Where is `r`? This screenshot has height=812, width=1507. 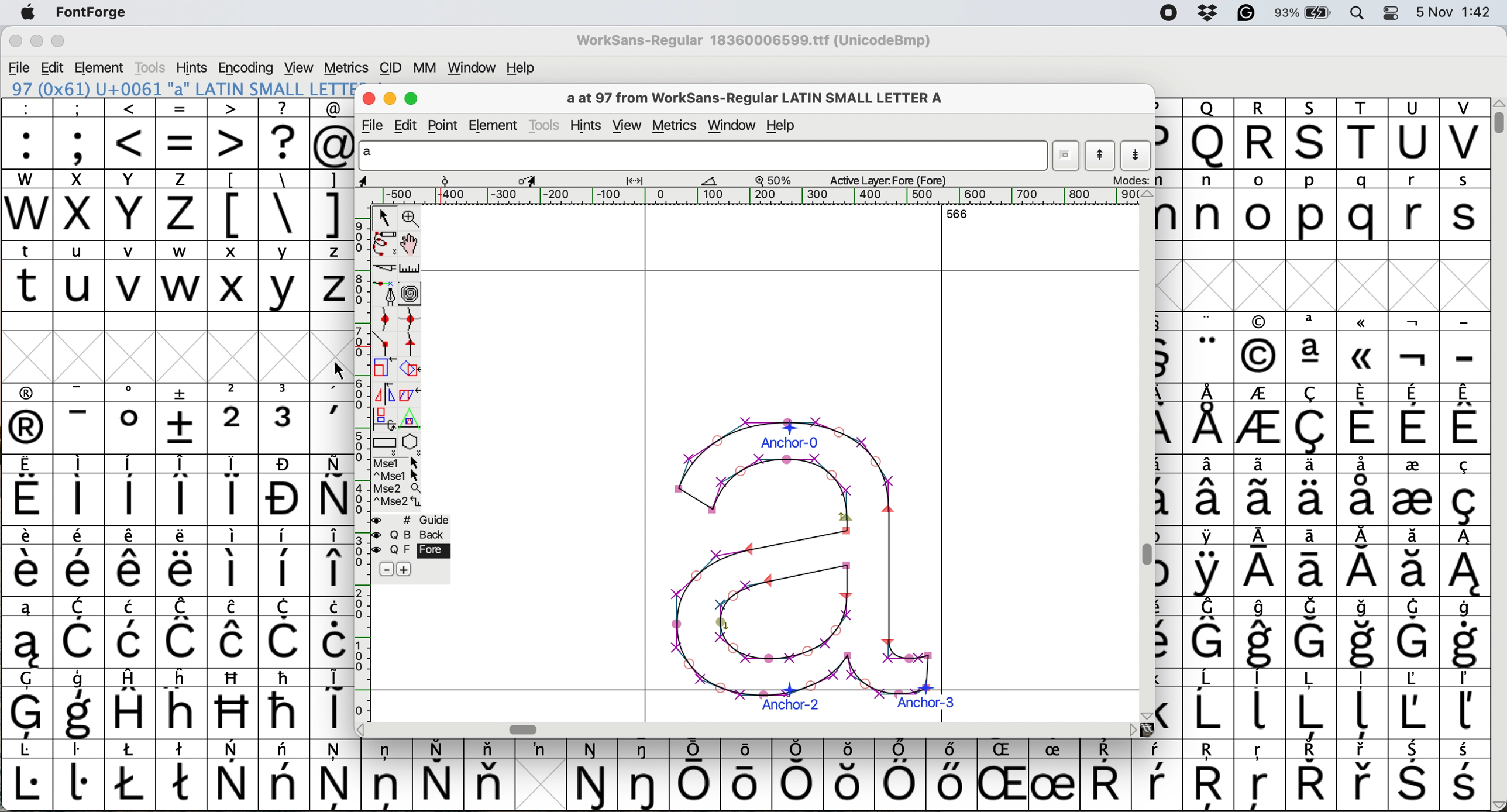 r is located at coordinates (1412, 205).